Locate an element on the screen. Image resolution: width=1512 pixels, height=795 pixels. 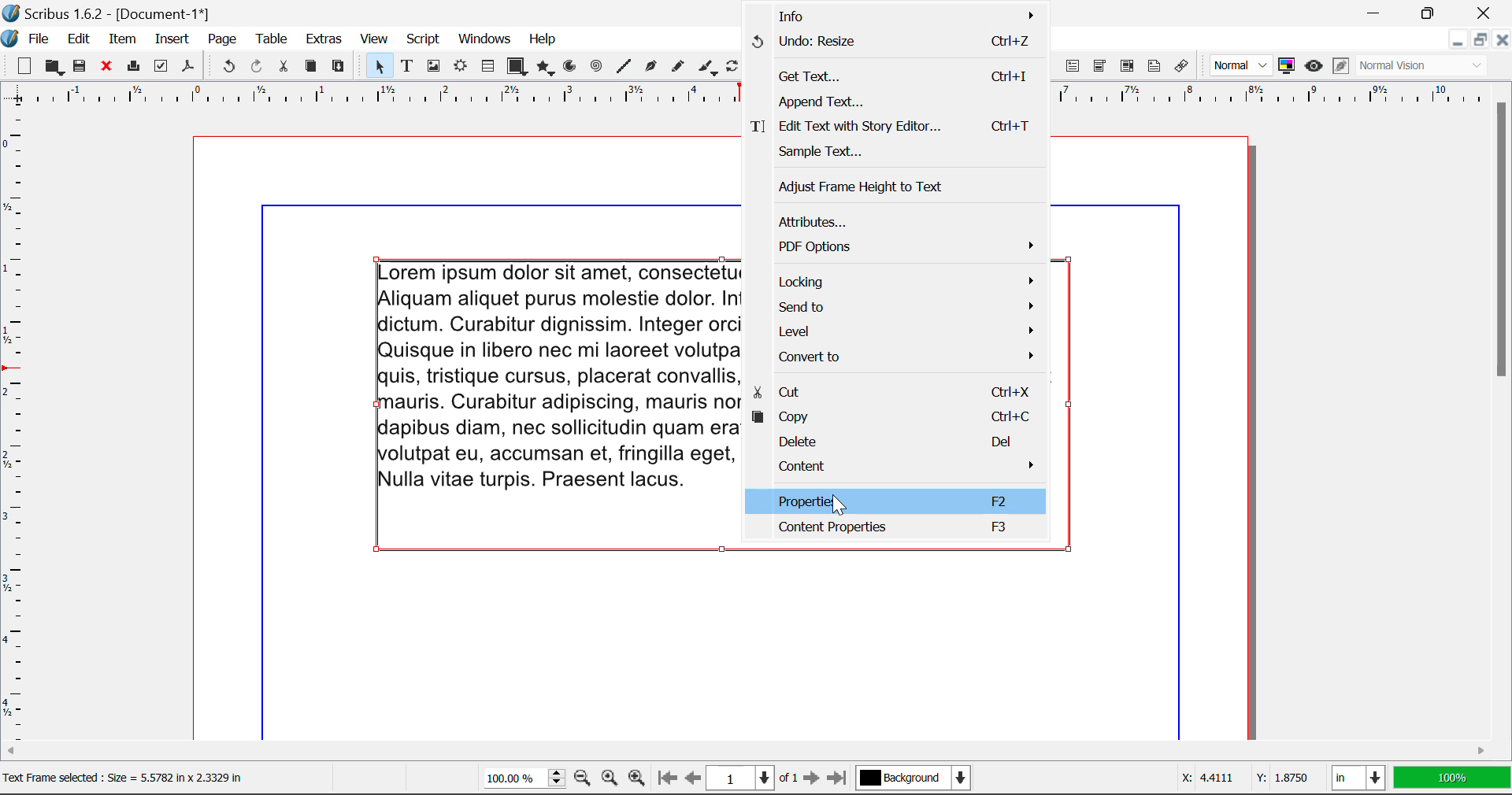
Cut is located at coordinates (897, 389).